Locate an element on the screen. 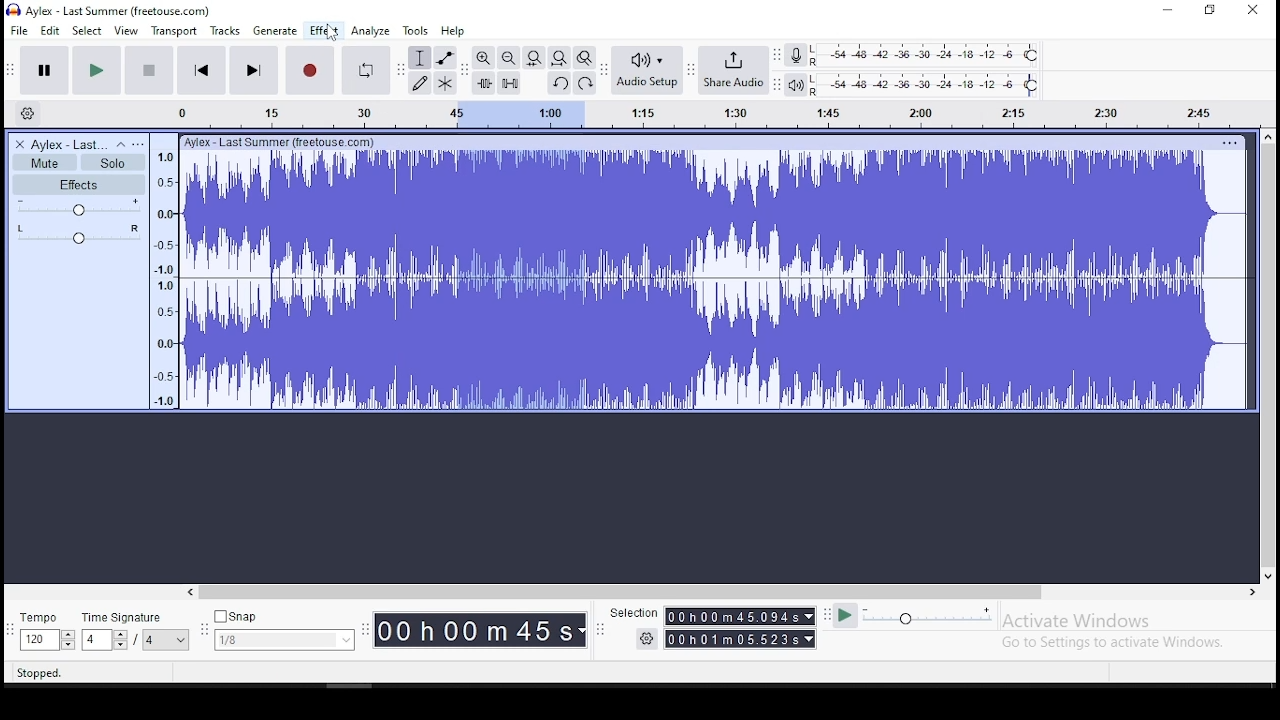 This screenshot has height=720, width=1280. tempo is located at coordinates (45, 633).